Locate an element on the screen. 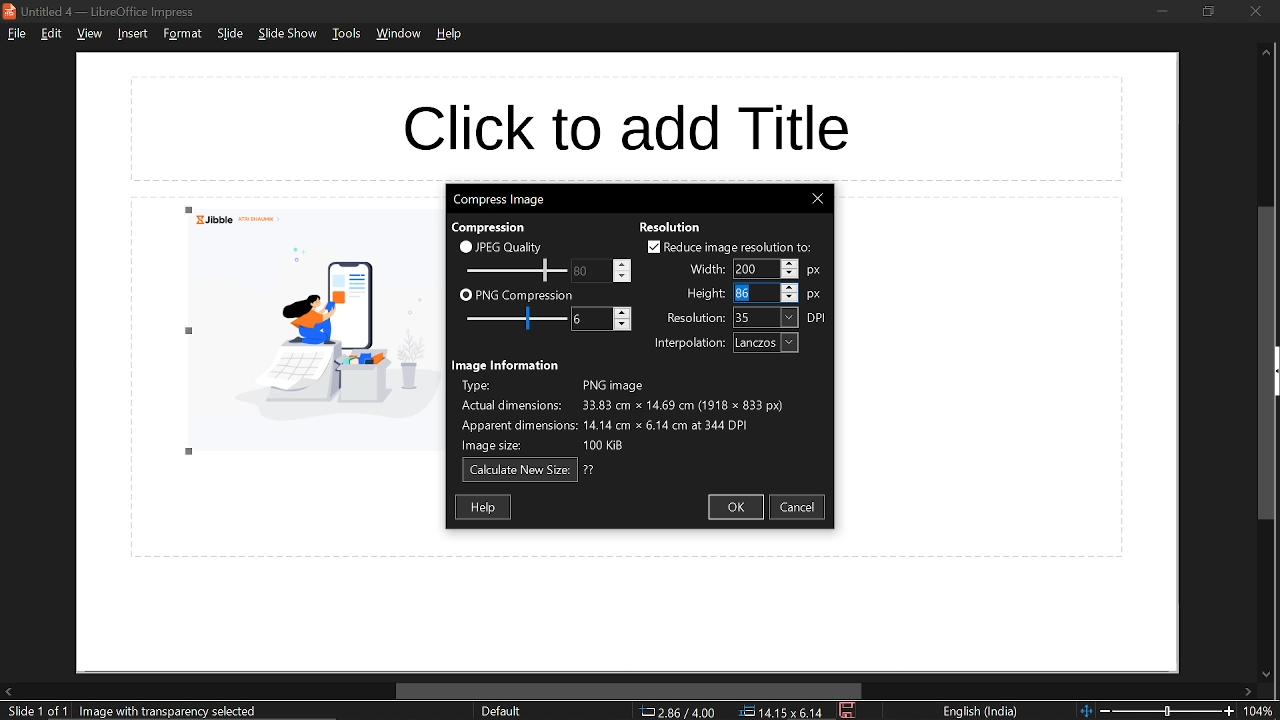 The image size is (1280, 720). width is located at coordinates (702, 268).